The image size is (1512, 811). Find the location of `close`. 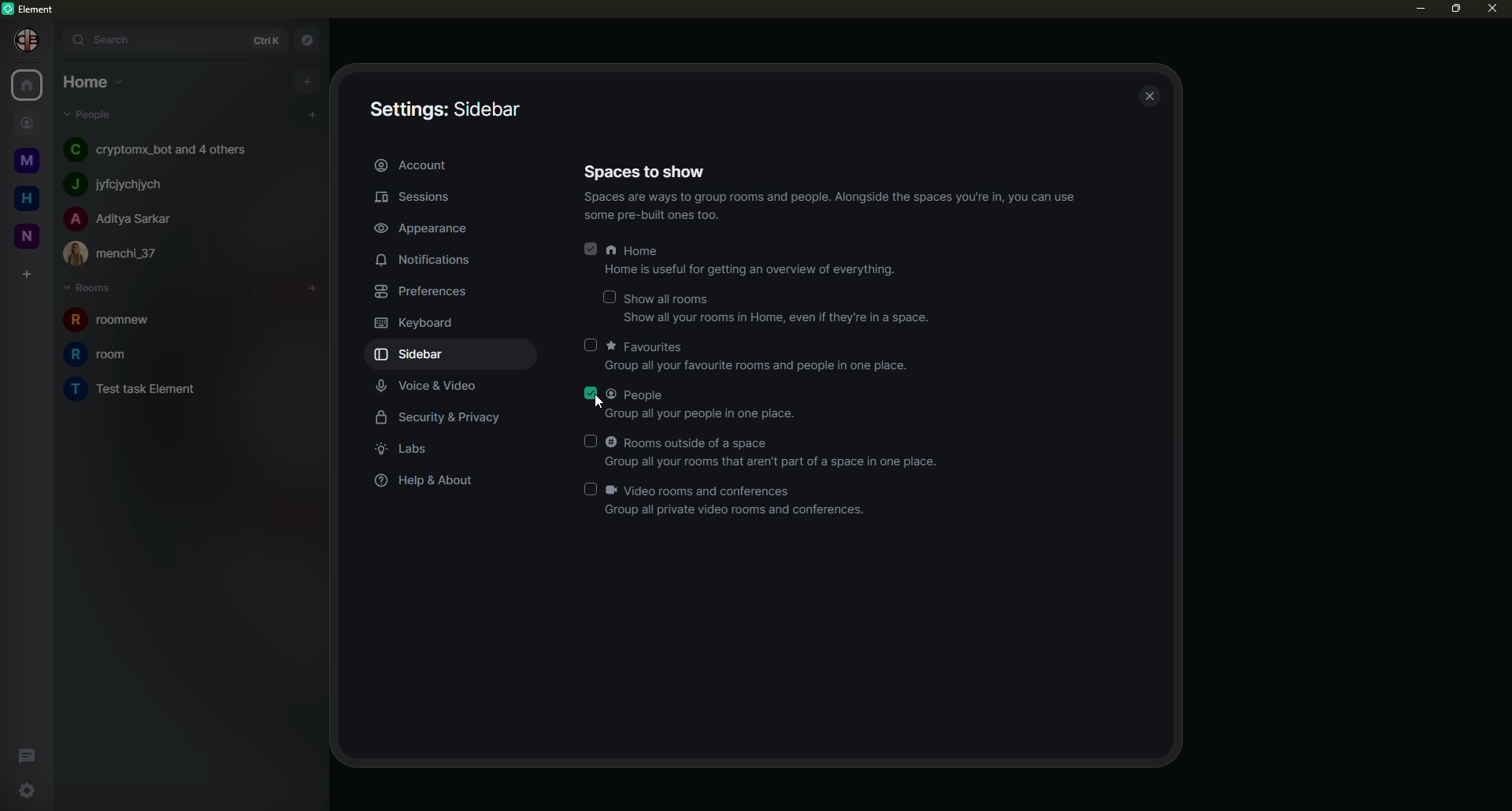

close is located at coordinates (1151, 97).